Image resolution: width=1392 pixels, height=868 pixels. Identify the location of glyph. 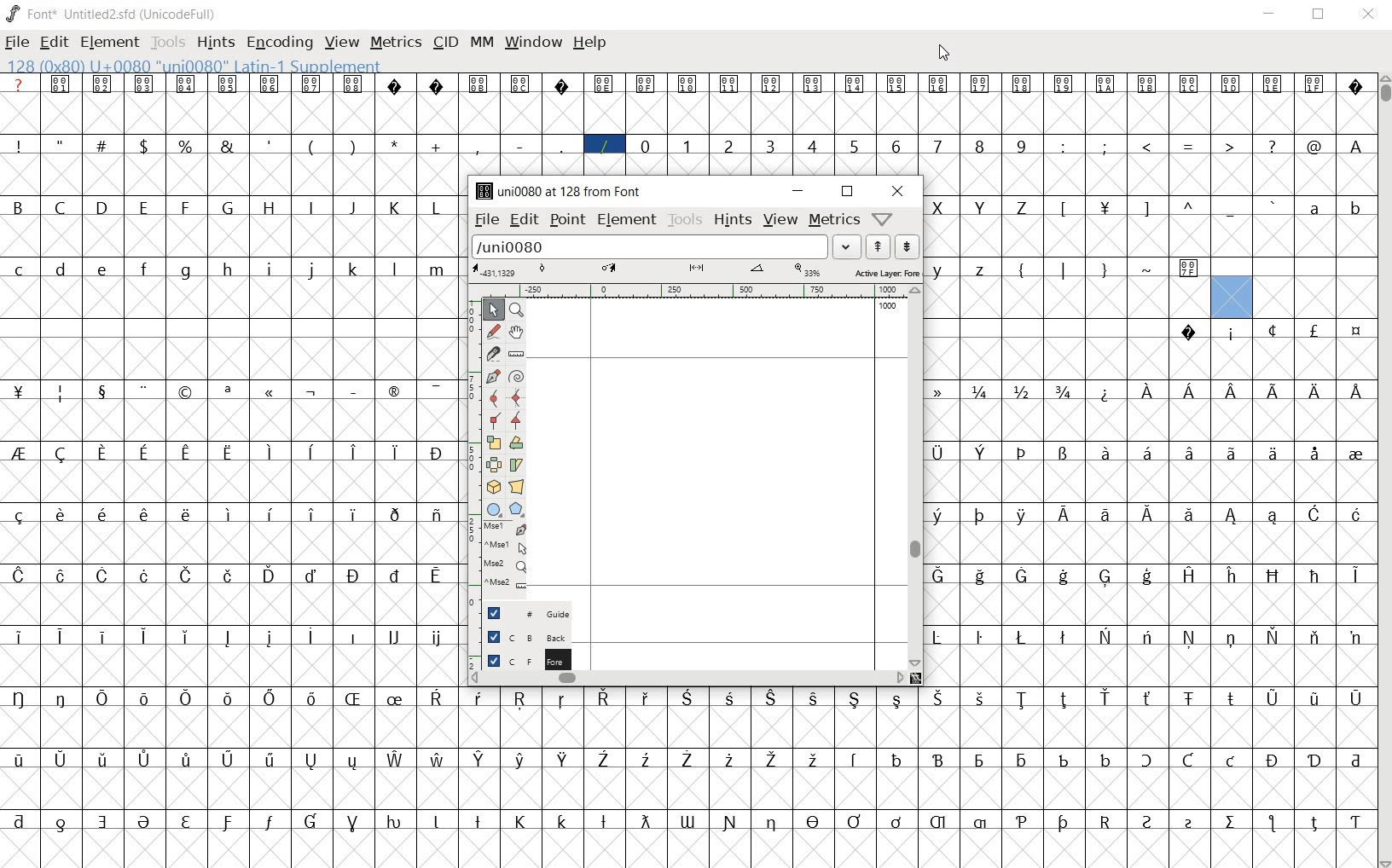
(1274, 636).